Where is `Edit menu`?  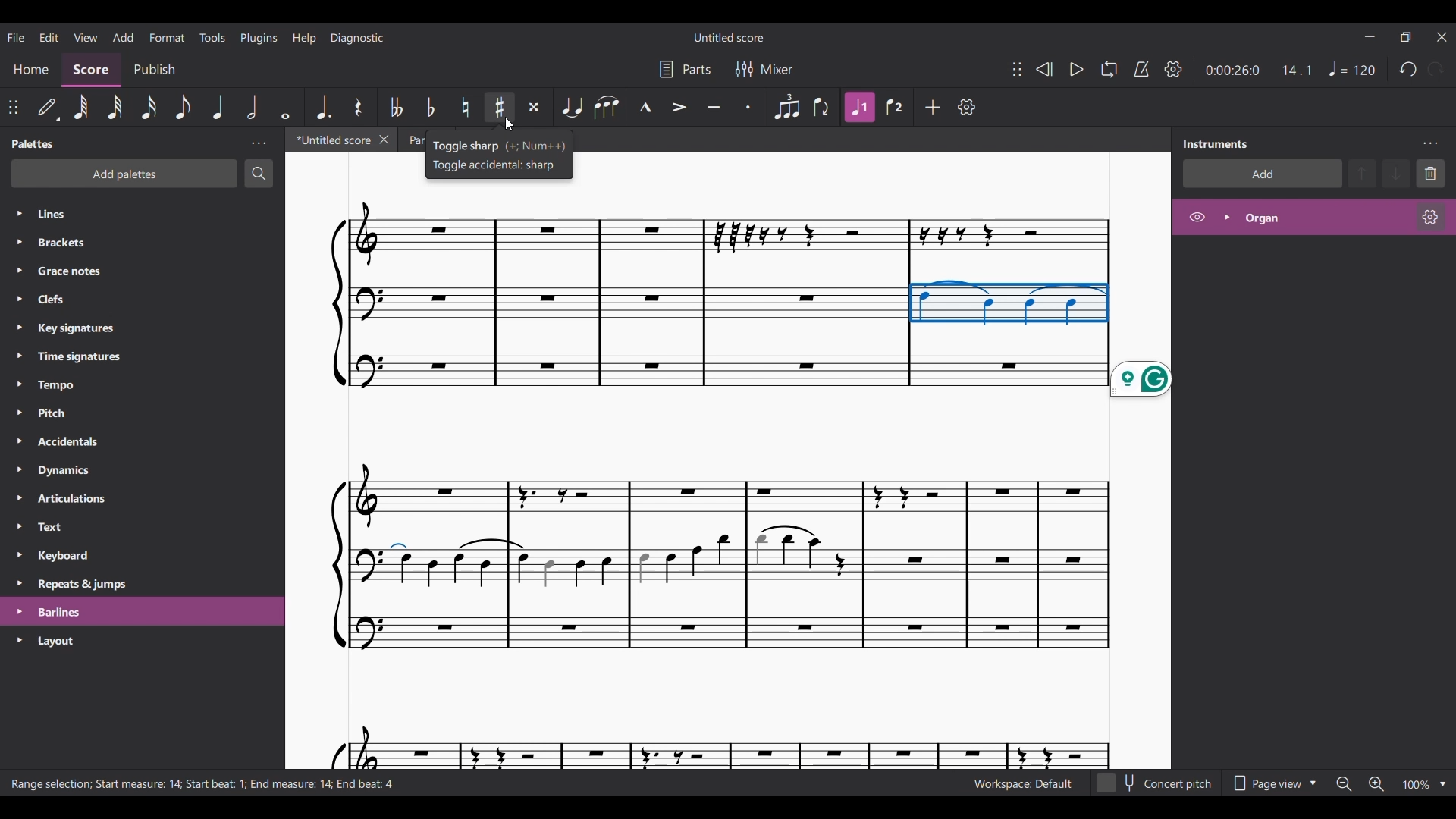 Edit menu is located at coordinates (48, 36).